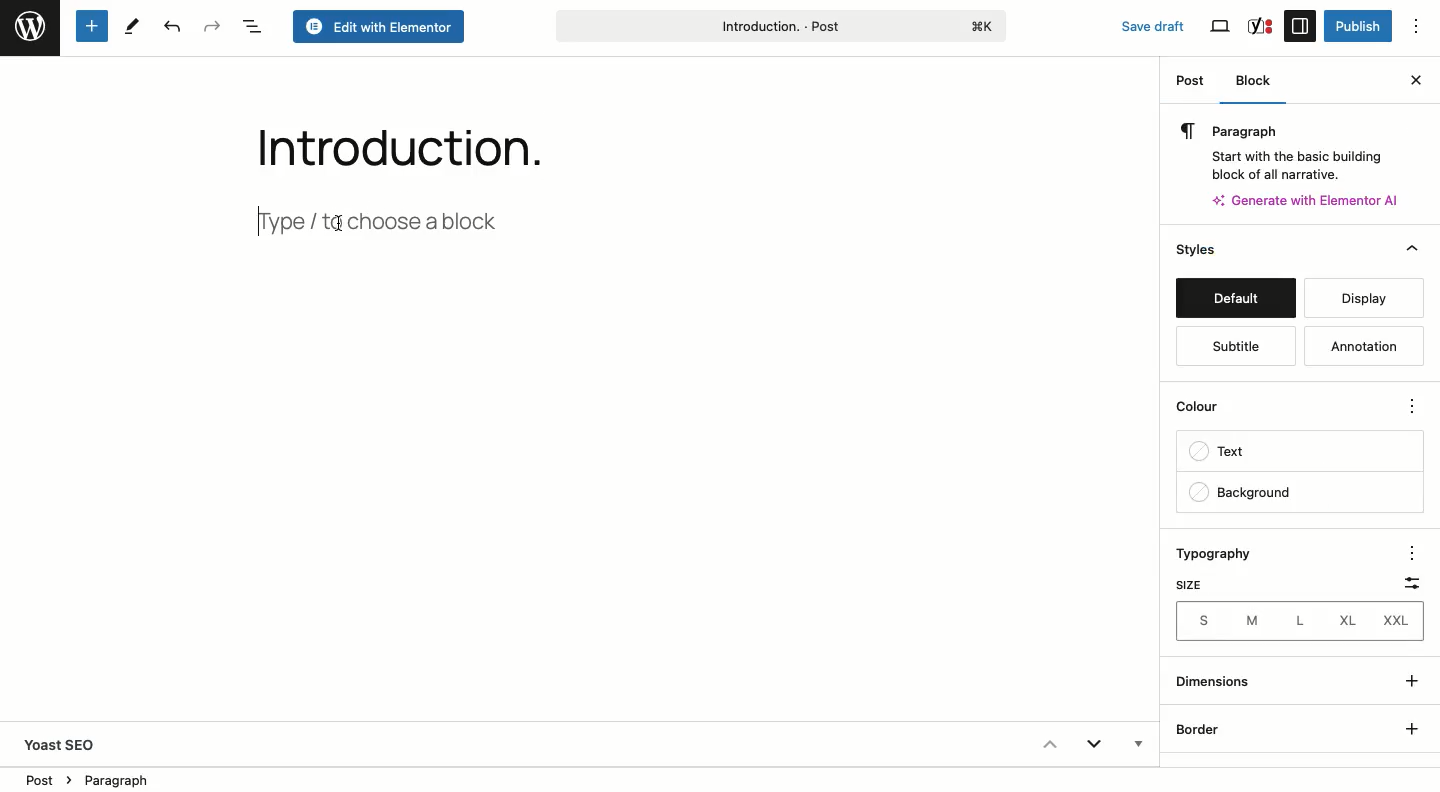  Describe the element at coordinates (1408, 701) in the screenshot. I see `Show` at that location.